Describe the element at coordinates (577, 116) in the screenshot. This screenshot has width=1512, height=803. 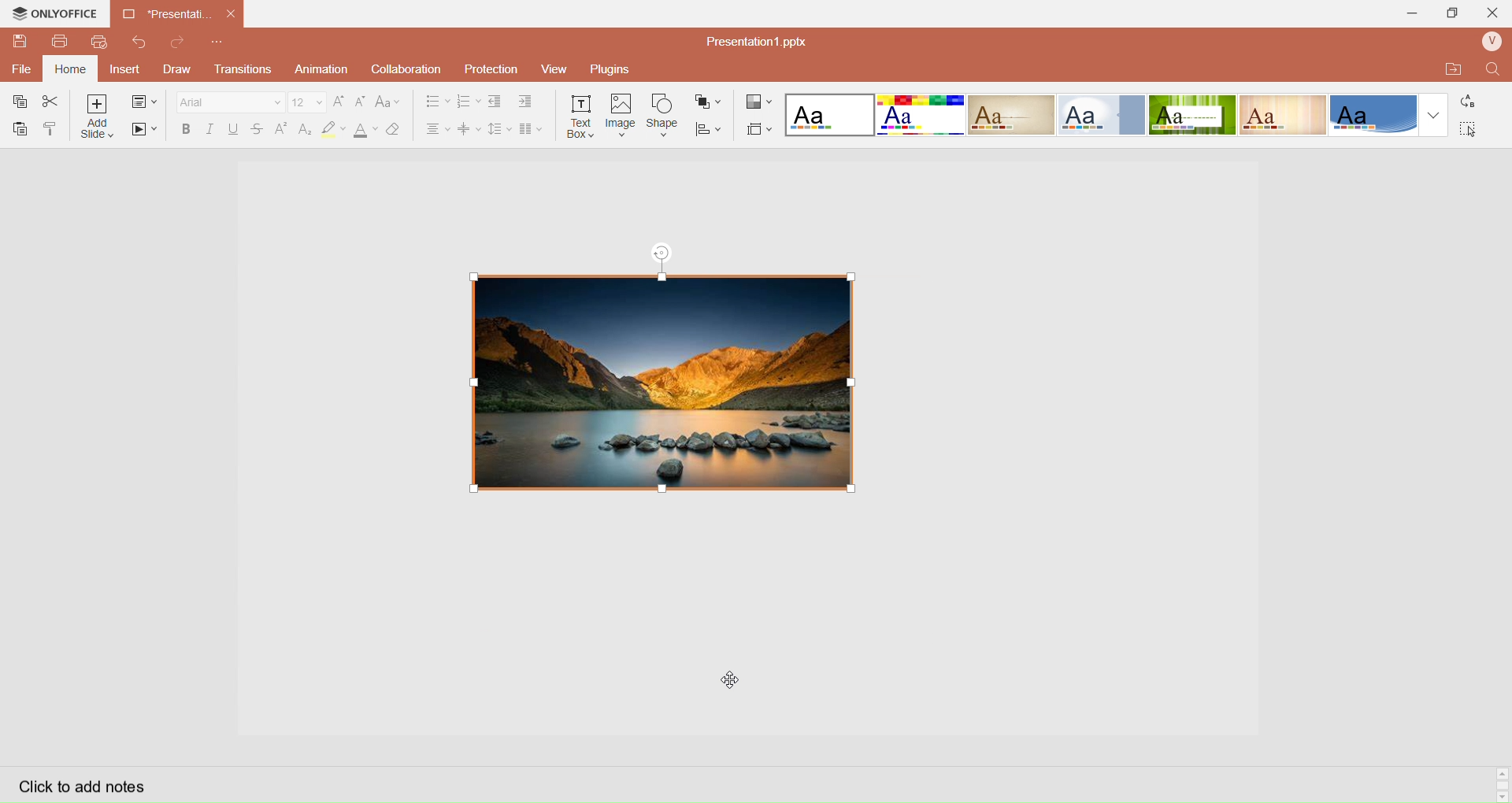
I see `Insert Text Box` at that location.